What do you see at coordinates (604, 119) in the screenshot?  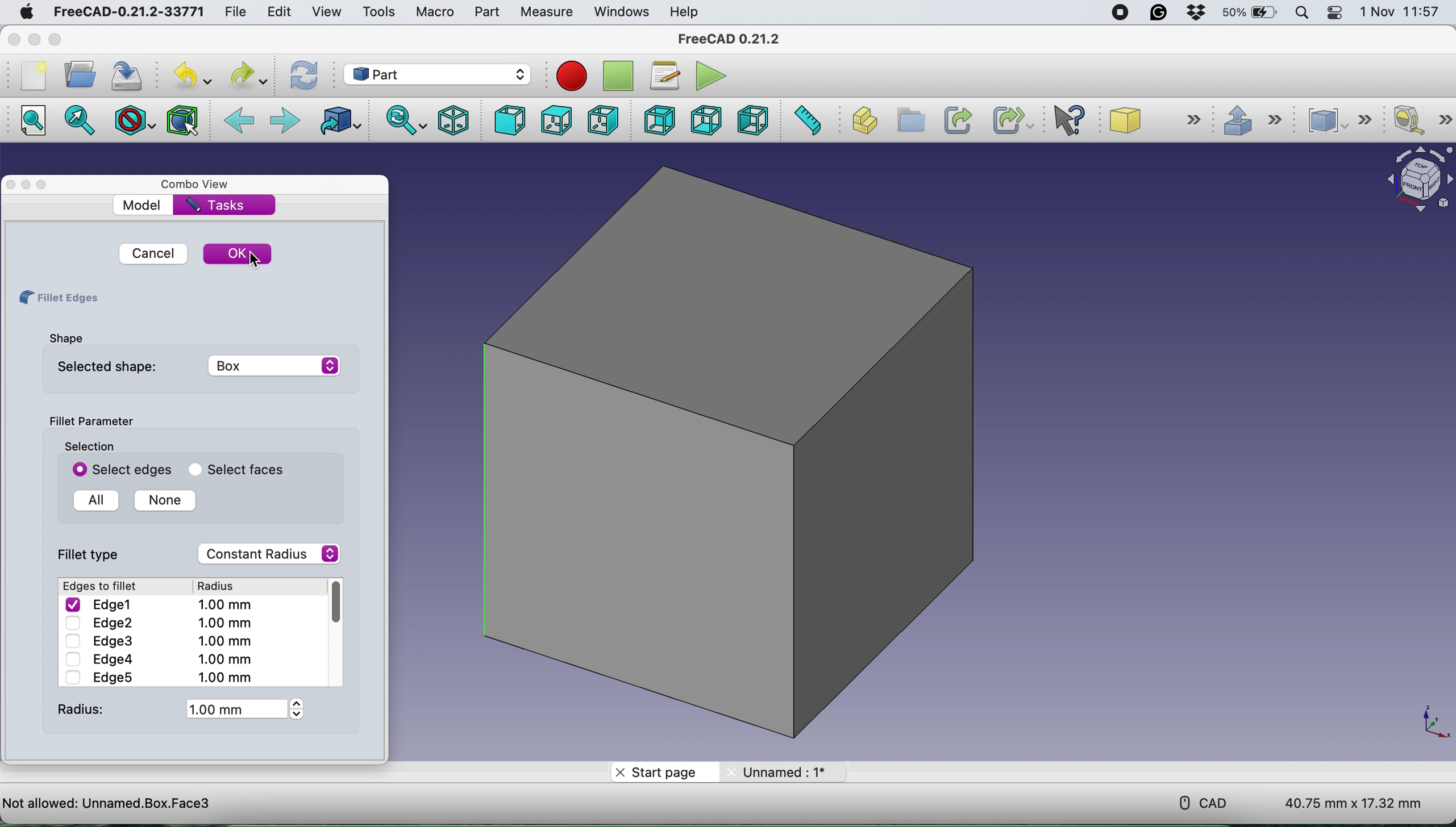 I see `right` at bounding box center [604, 119].